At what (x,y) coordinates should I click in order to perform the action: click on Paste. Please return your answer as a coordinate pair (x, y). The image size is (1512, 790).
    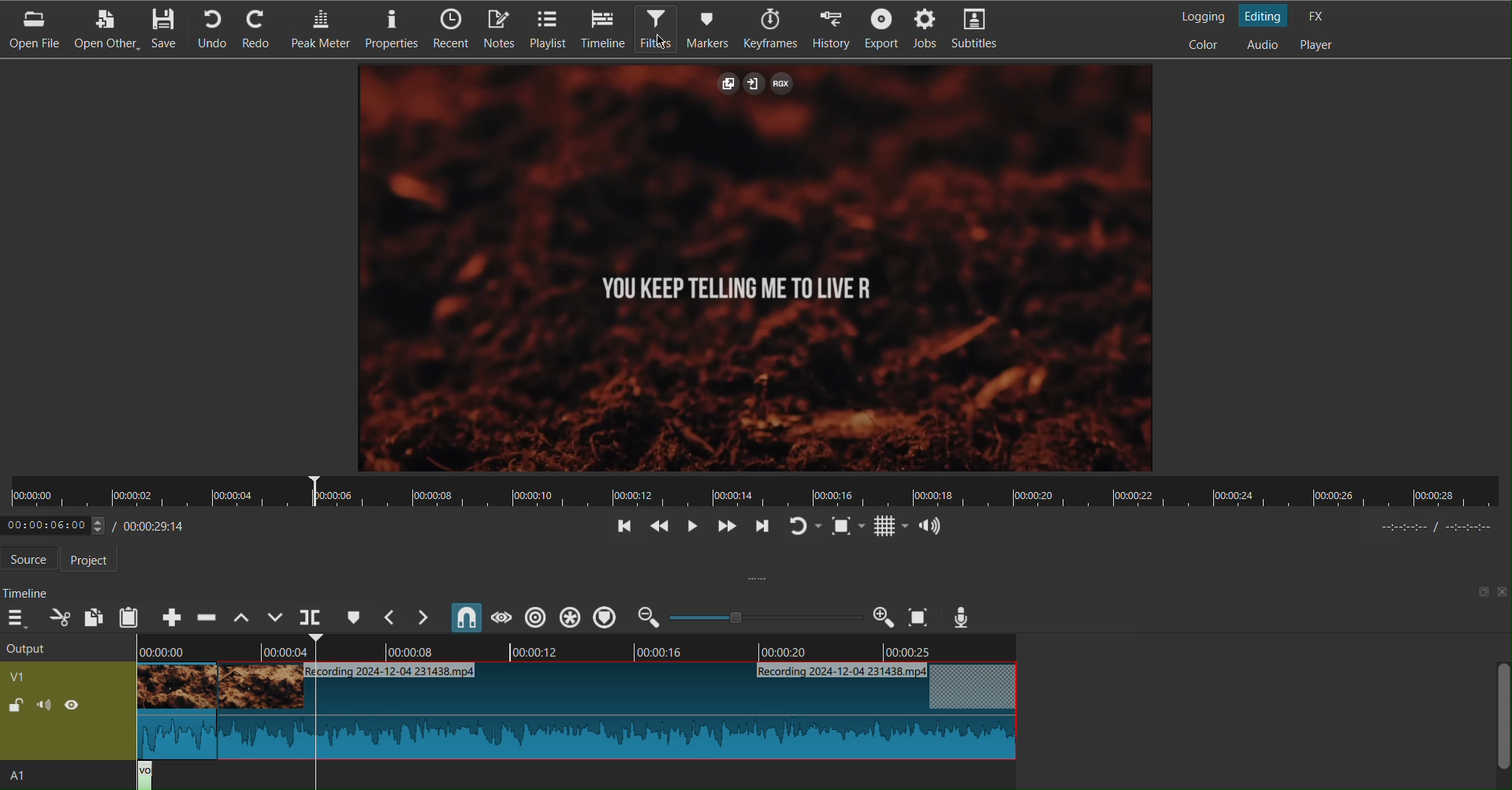
    Looking at the image, I should click on (130, 617).